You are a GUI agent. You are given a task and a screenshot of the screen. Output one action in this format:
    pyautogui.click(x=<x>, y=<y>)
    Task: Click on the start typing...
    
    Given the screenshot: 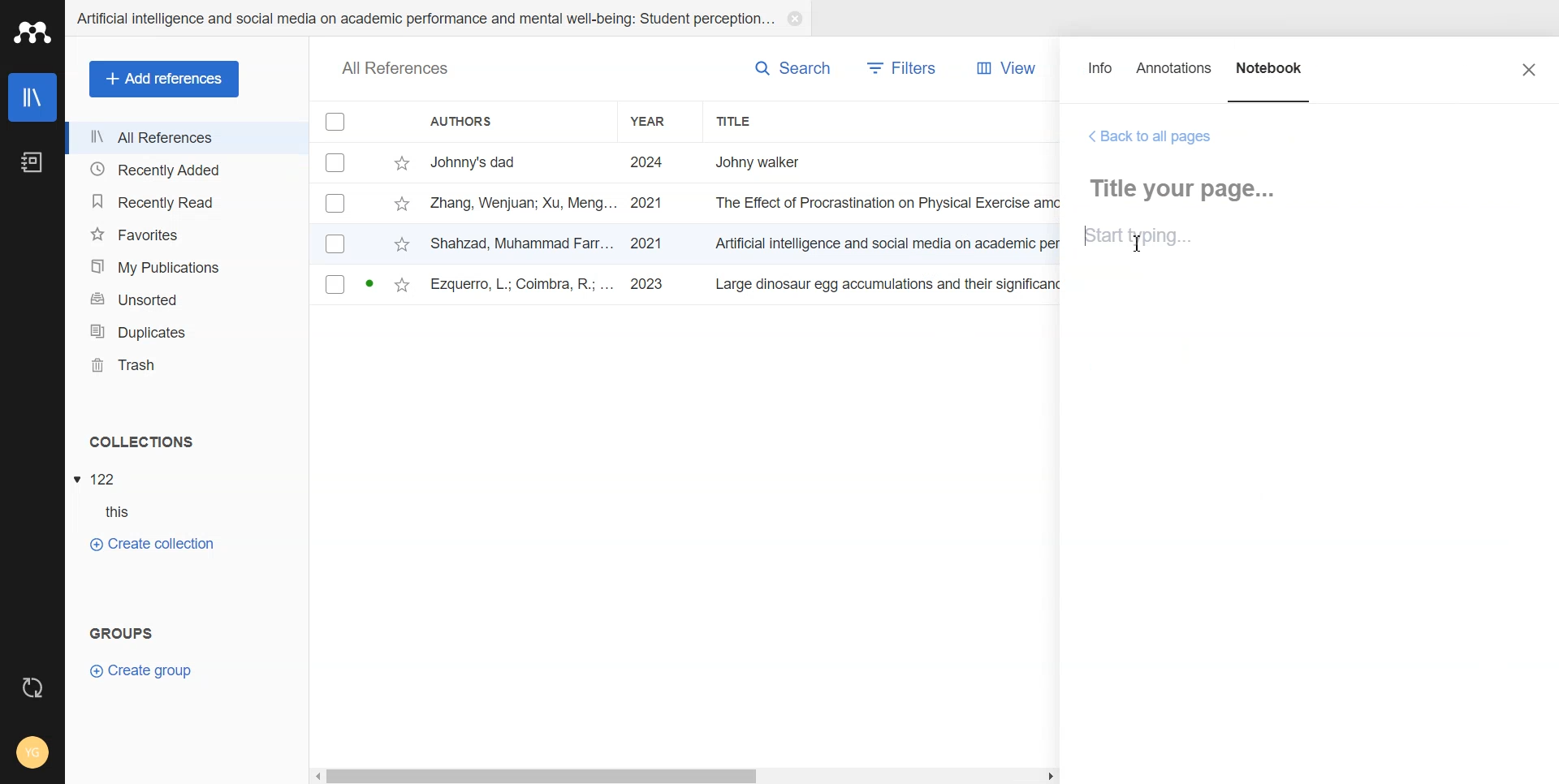 What is the action you would take?
    pyautogui.click(x=1142, y=239)
    